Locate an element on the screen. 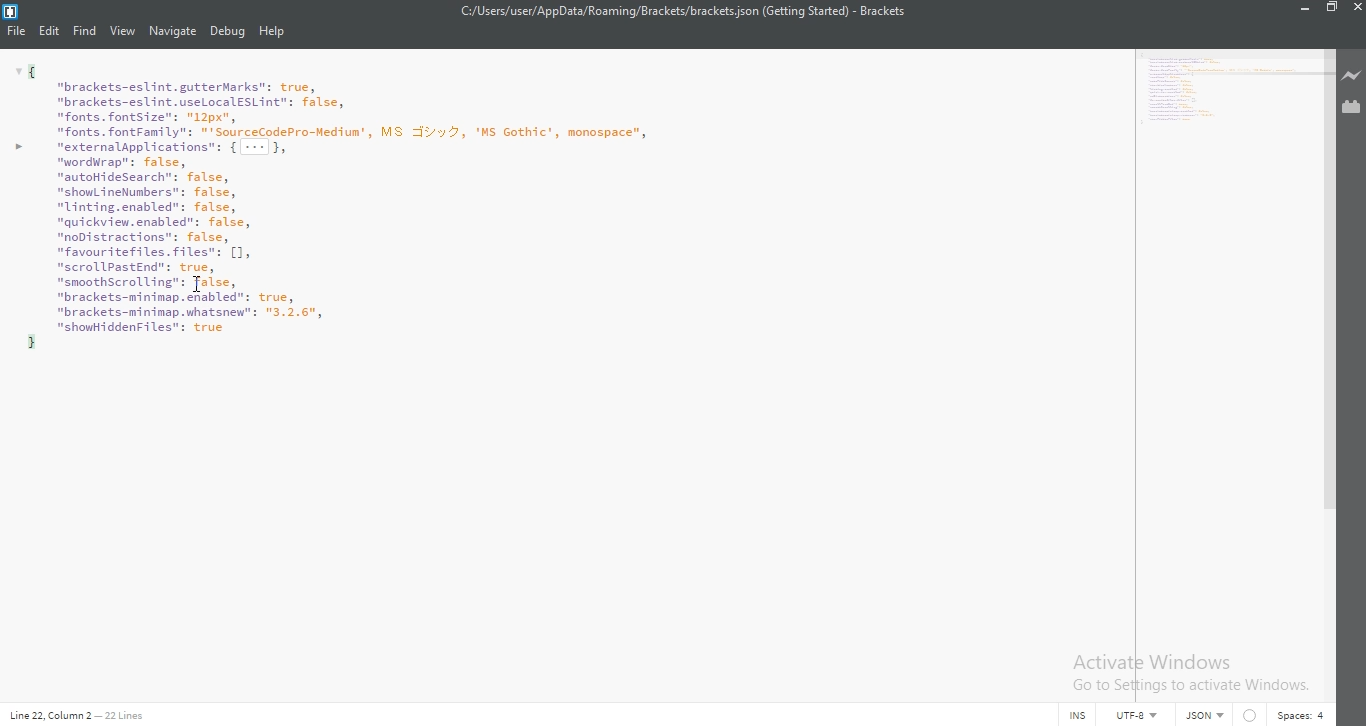  UTF-8 is located at coordinates (1140, 716).